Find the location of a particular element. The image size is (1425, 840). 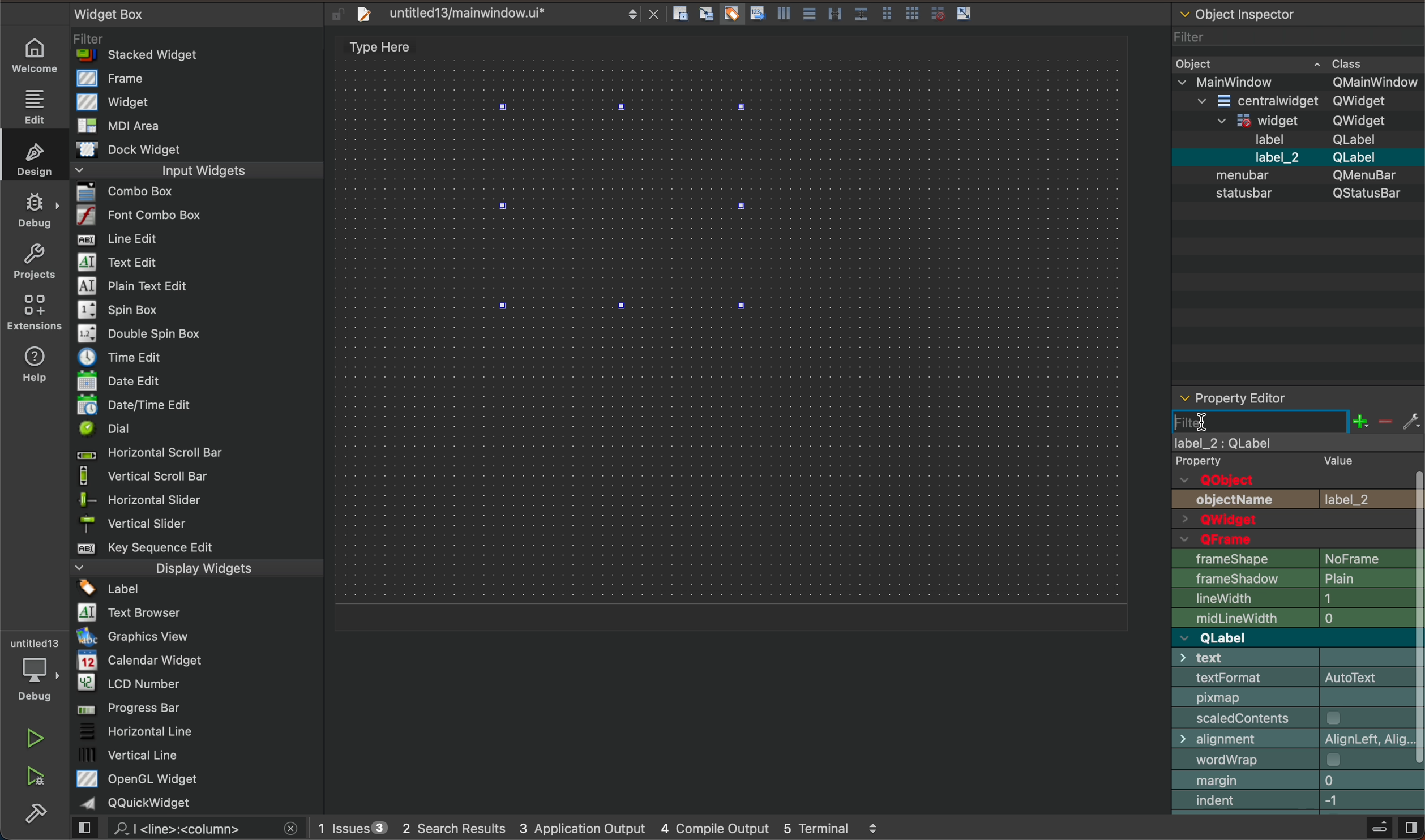

logs is located at coordinates (605, 830).